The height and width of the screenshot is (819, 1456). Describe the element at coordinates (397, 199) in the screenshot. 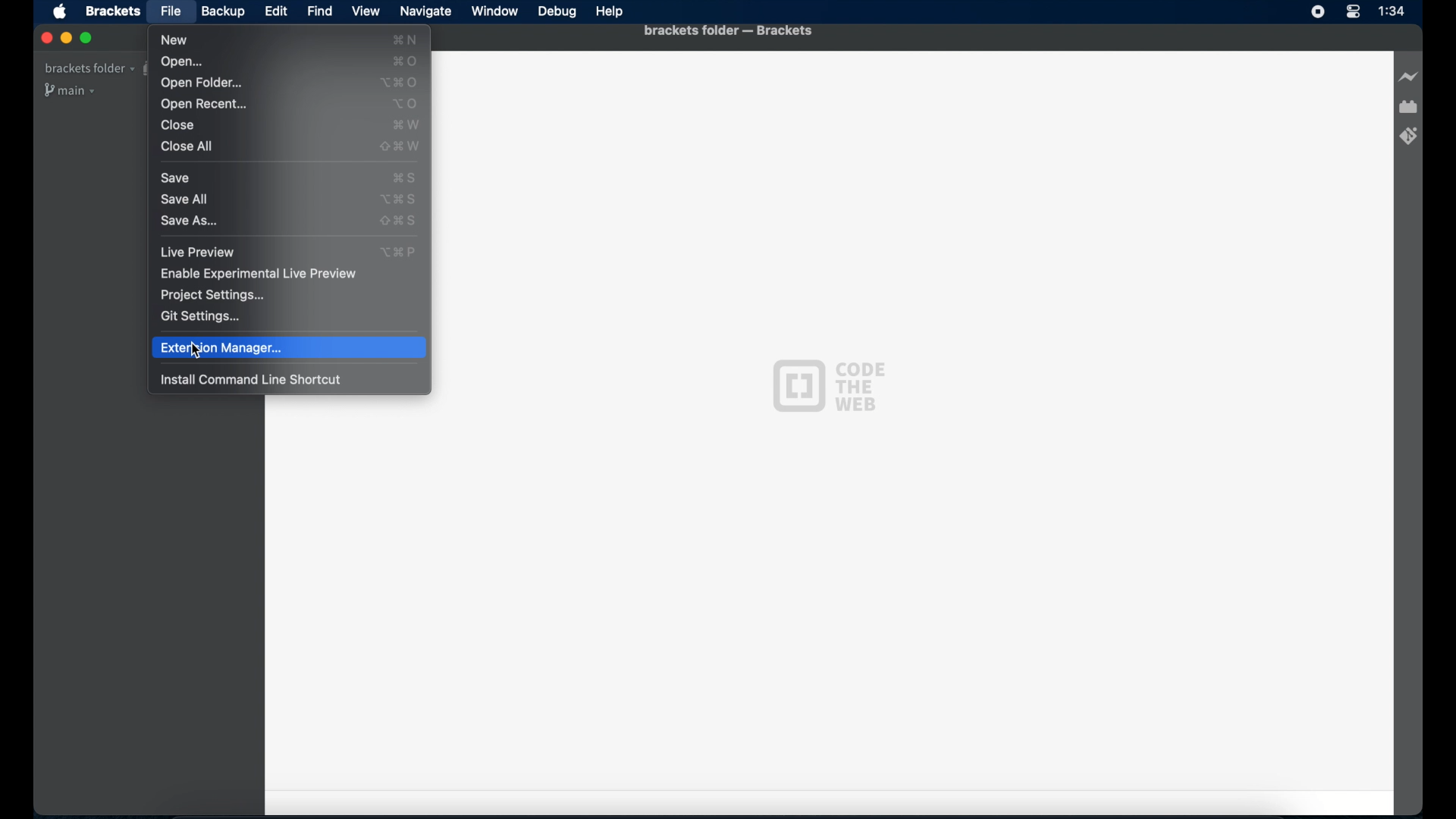

I see `save all shortcut` at that location.